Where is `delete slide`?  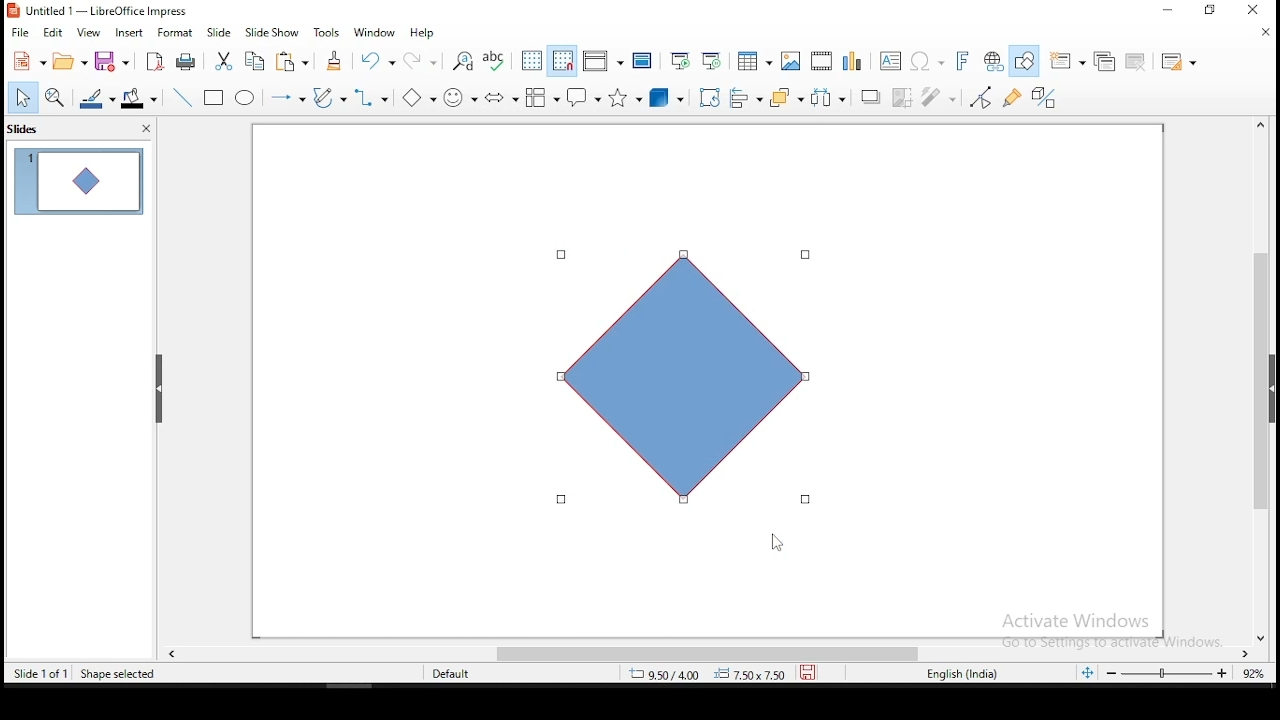
delete slide is located at coordinates (1137, 63).